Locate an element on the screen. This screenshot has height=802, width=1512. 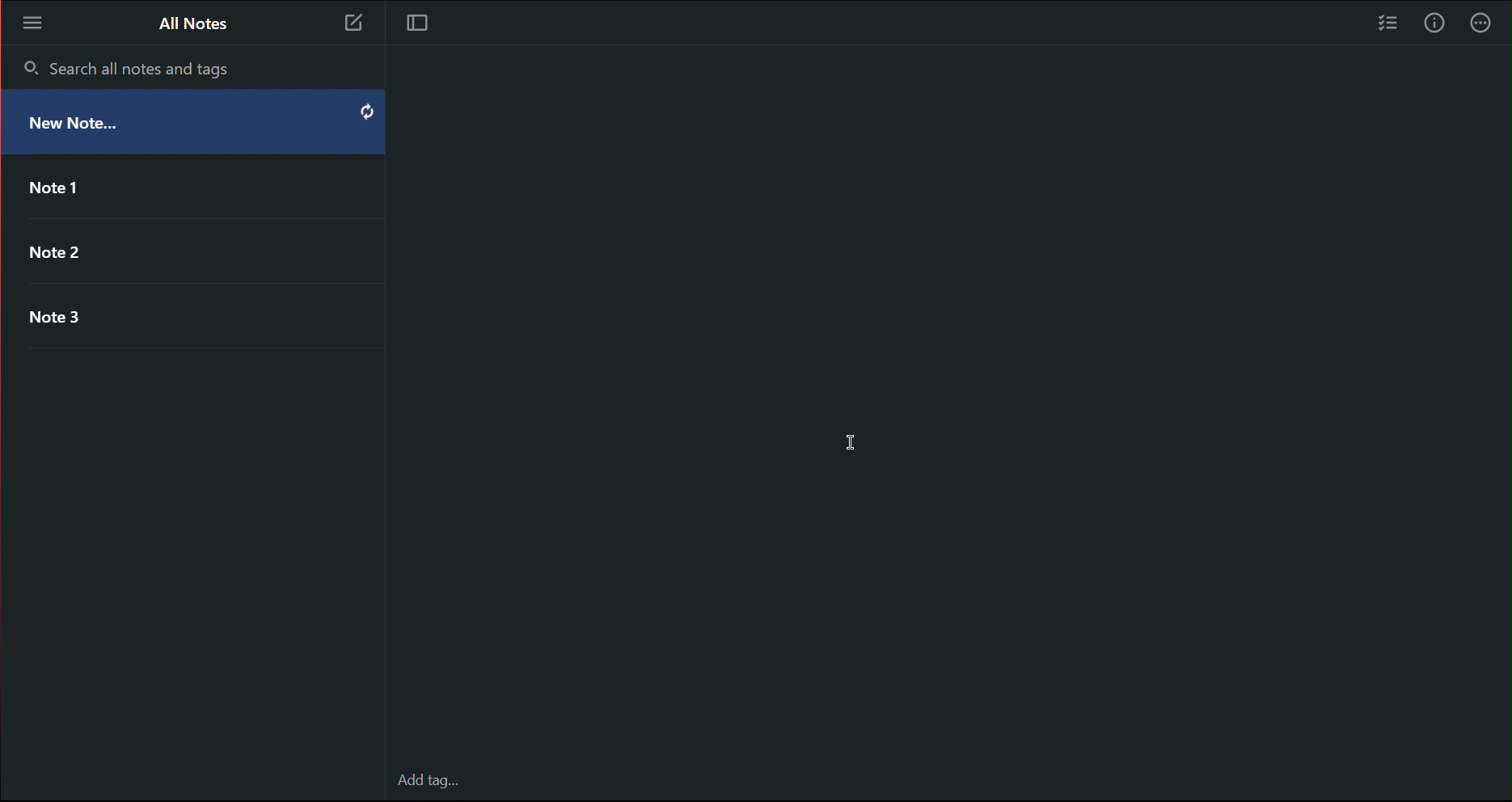
Note 2 is located at coordinates (183, 244).